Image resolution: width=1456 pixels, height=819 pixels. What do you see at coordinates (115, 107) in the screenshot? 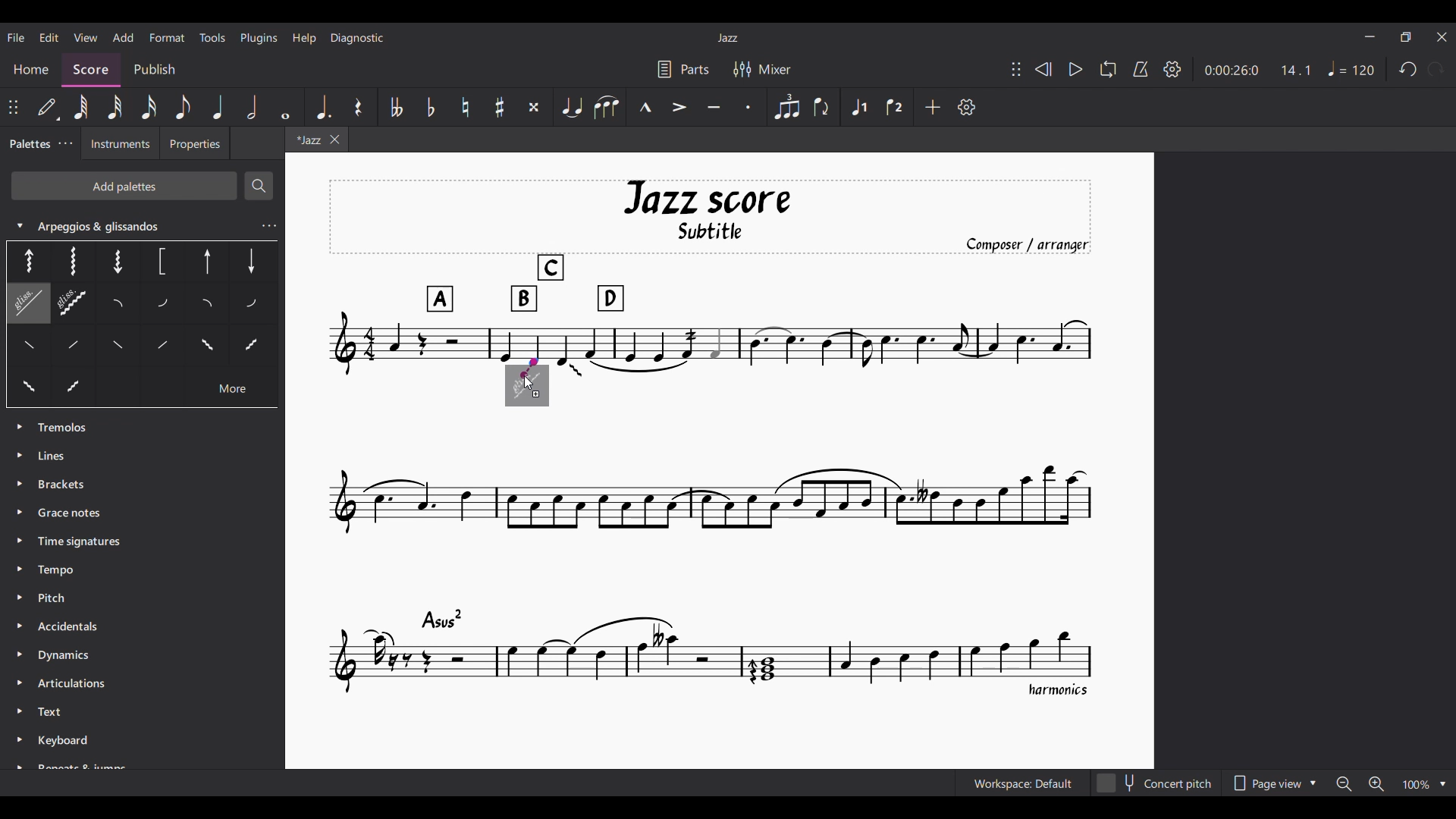
I see `32nd note` at bounding box center [115, 107].